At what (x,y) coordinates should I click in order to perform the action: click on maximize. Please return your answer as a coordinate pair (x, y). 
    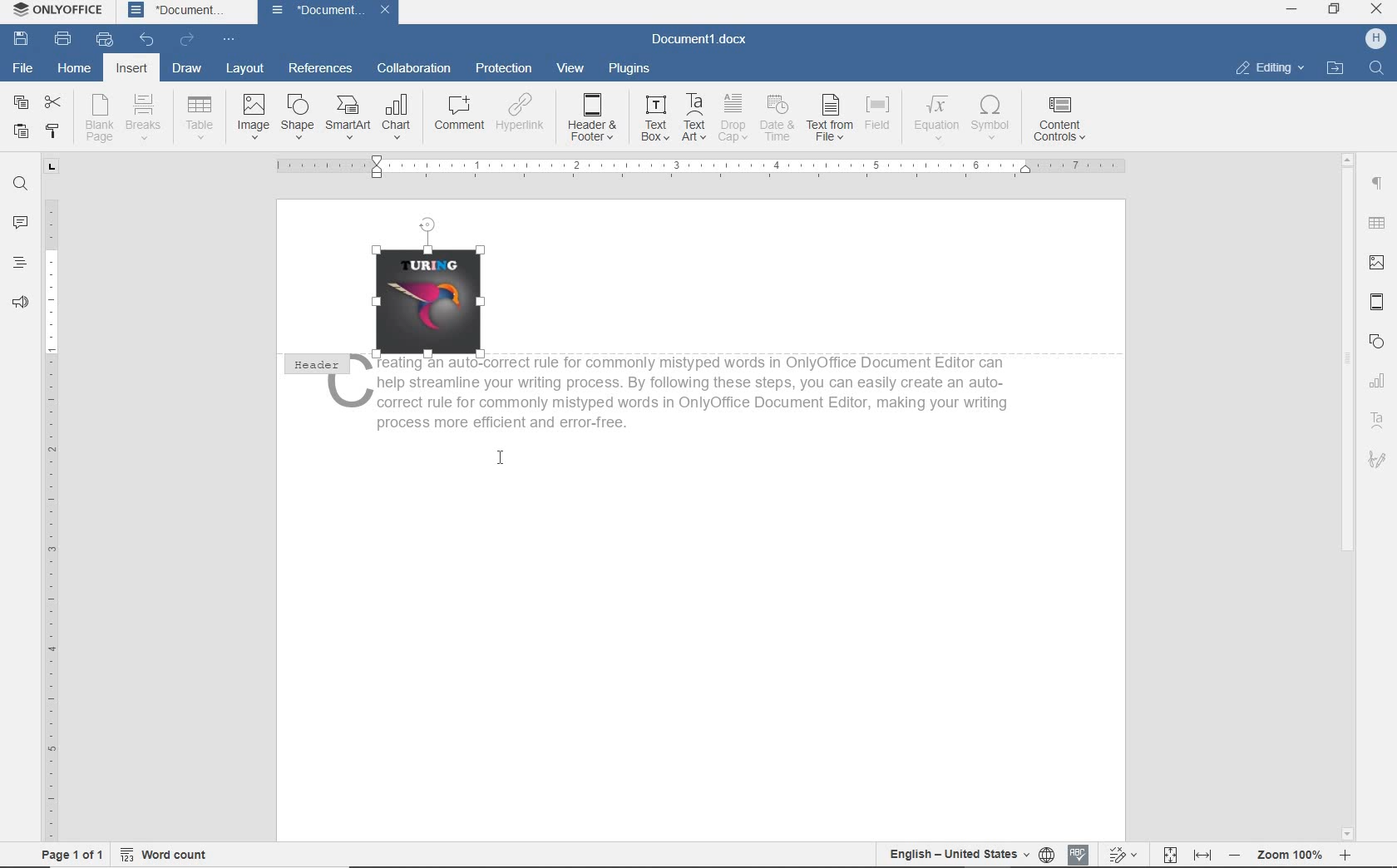
    Looking at the image, I should click on (1335, 10).